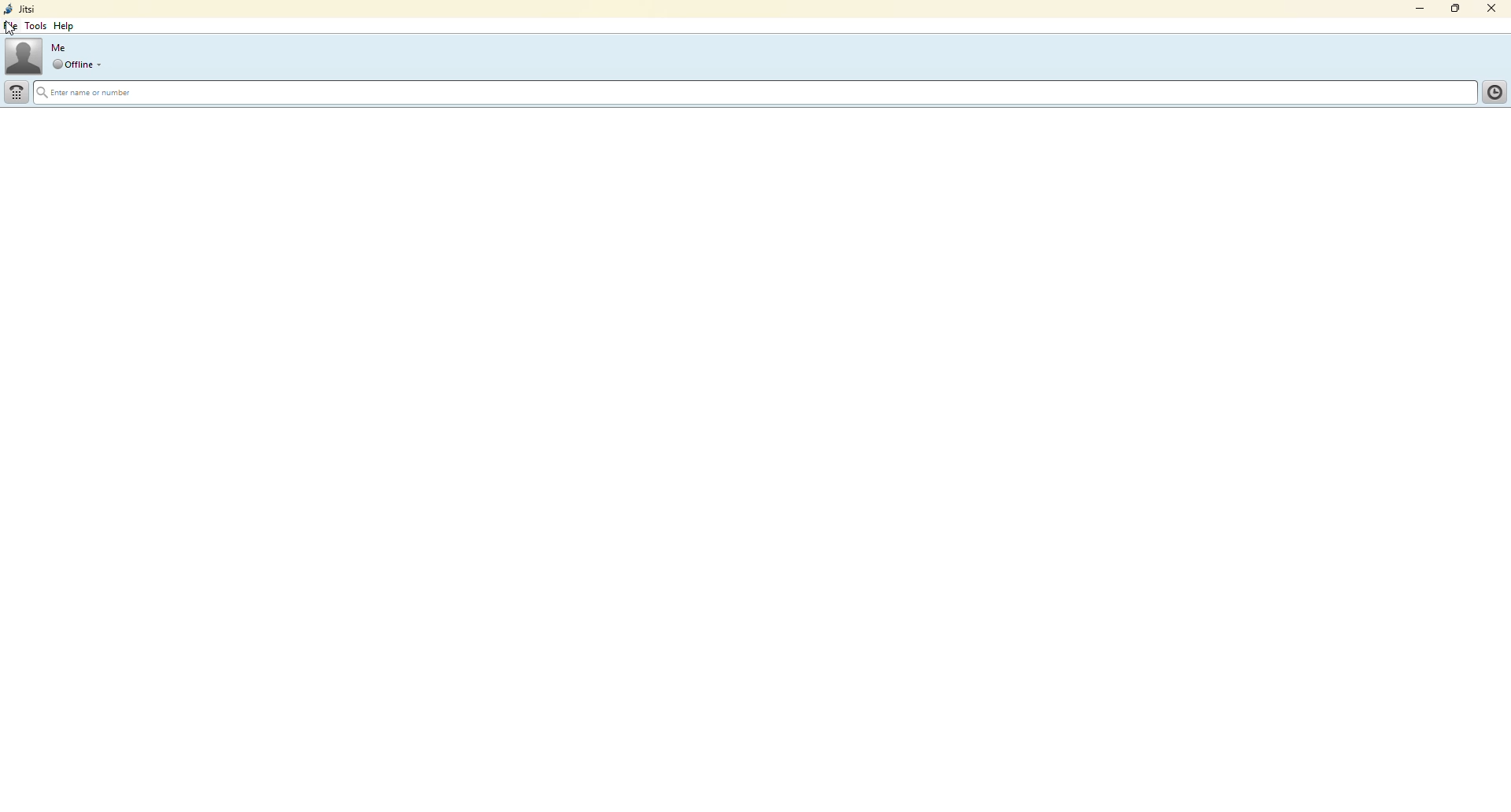  Describe the element at coordinates (1454, 9) in the screenshot. I see `maximize` at that location.